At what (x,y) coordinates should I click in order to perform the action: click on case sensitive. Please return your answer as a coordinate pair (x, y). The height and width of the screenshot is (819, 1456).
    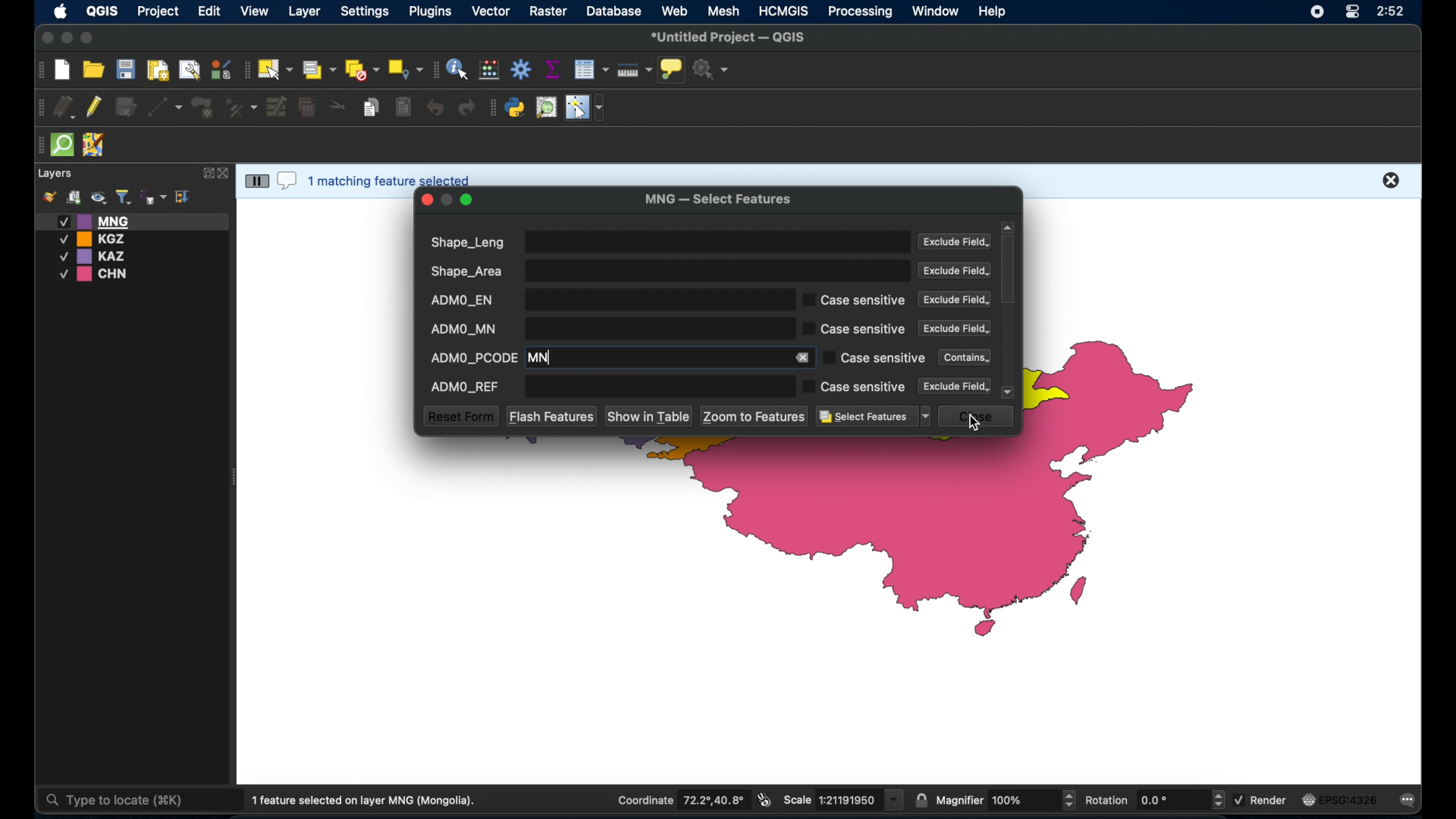
    Looking at the image, I should click on (873, 358).